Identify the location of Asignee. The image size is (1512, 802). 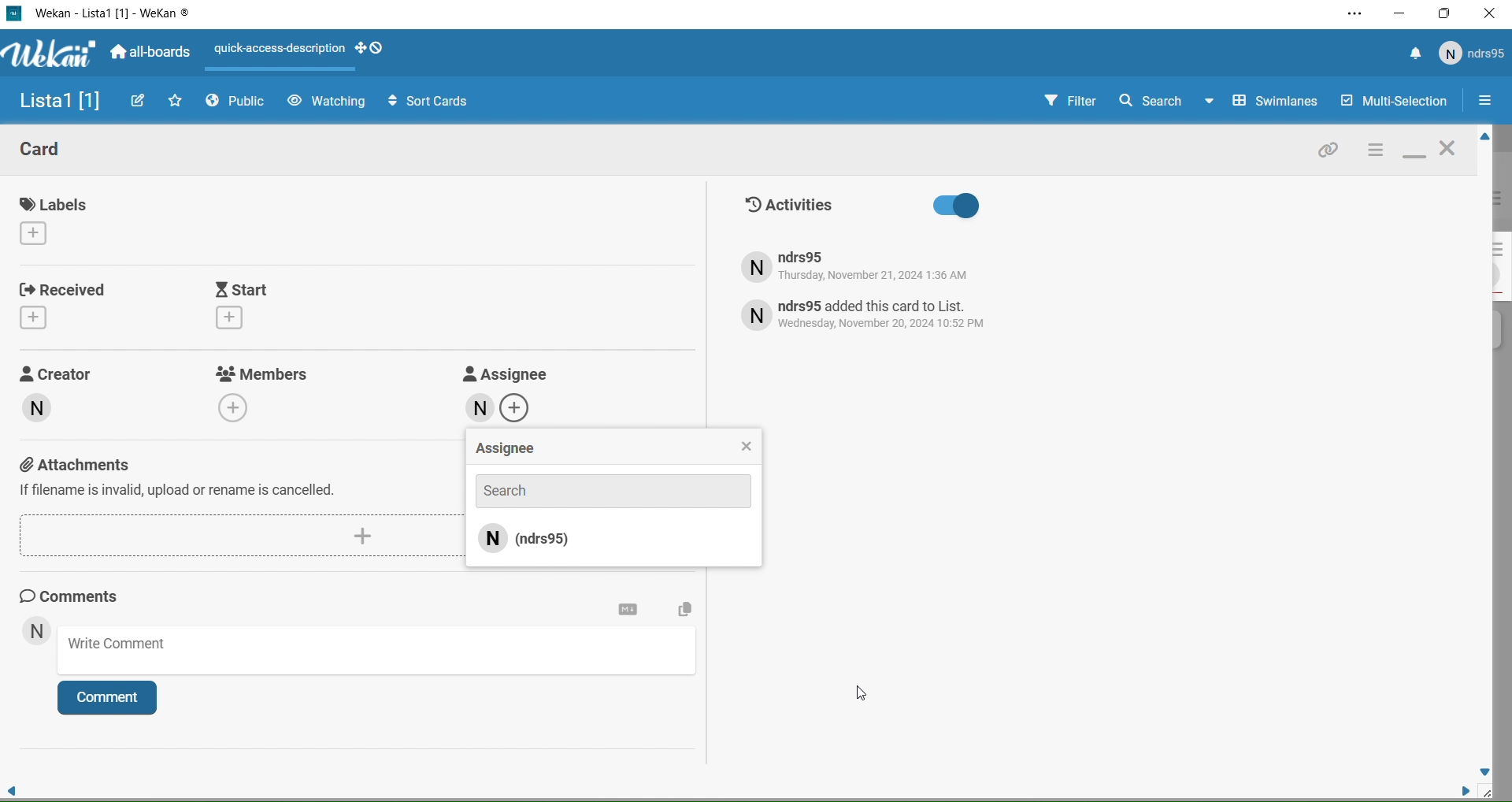
(503, 394).